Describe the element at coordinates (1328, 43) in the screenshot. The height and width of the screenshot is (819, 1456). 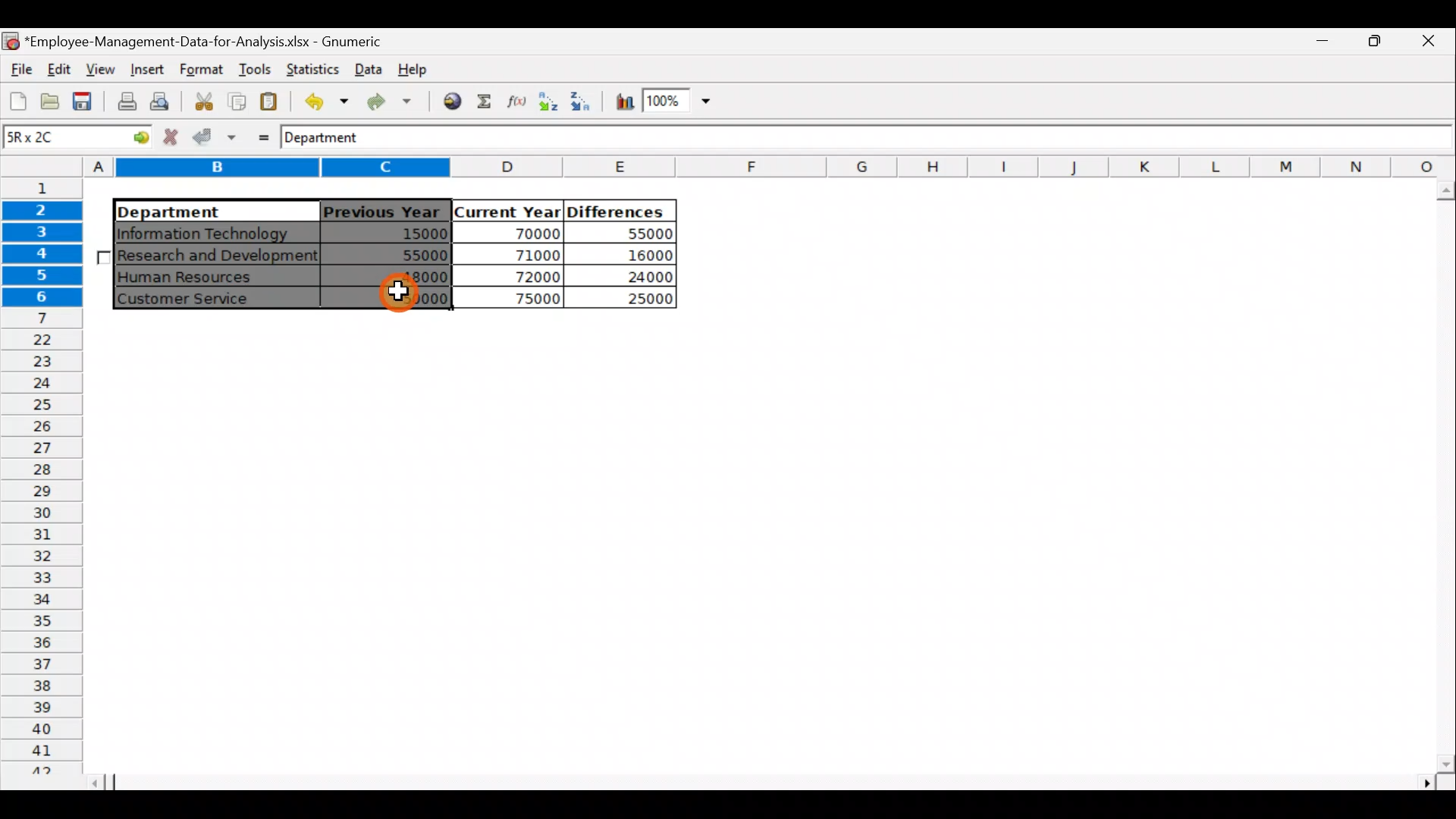
I see `Maximize` at that location.